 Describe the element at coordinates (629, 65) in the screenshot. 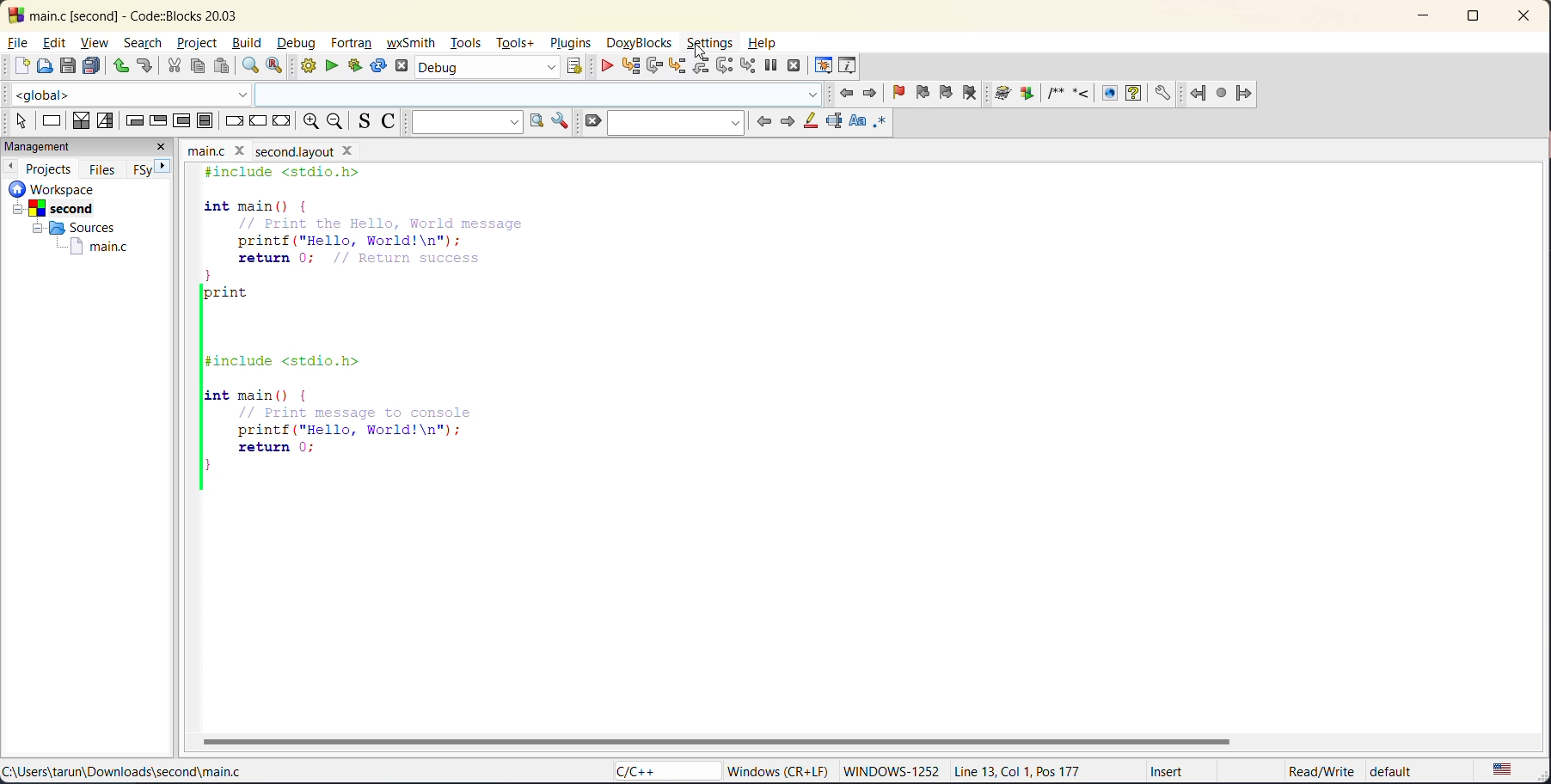

I see `run to cursor` at that location.